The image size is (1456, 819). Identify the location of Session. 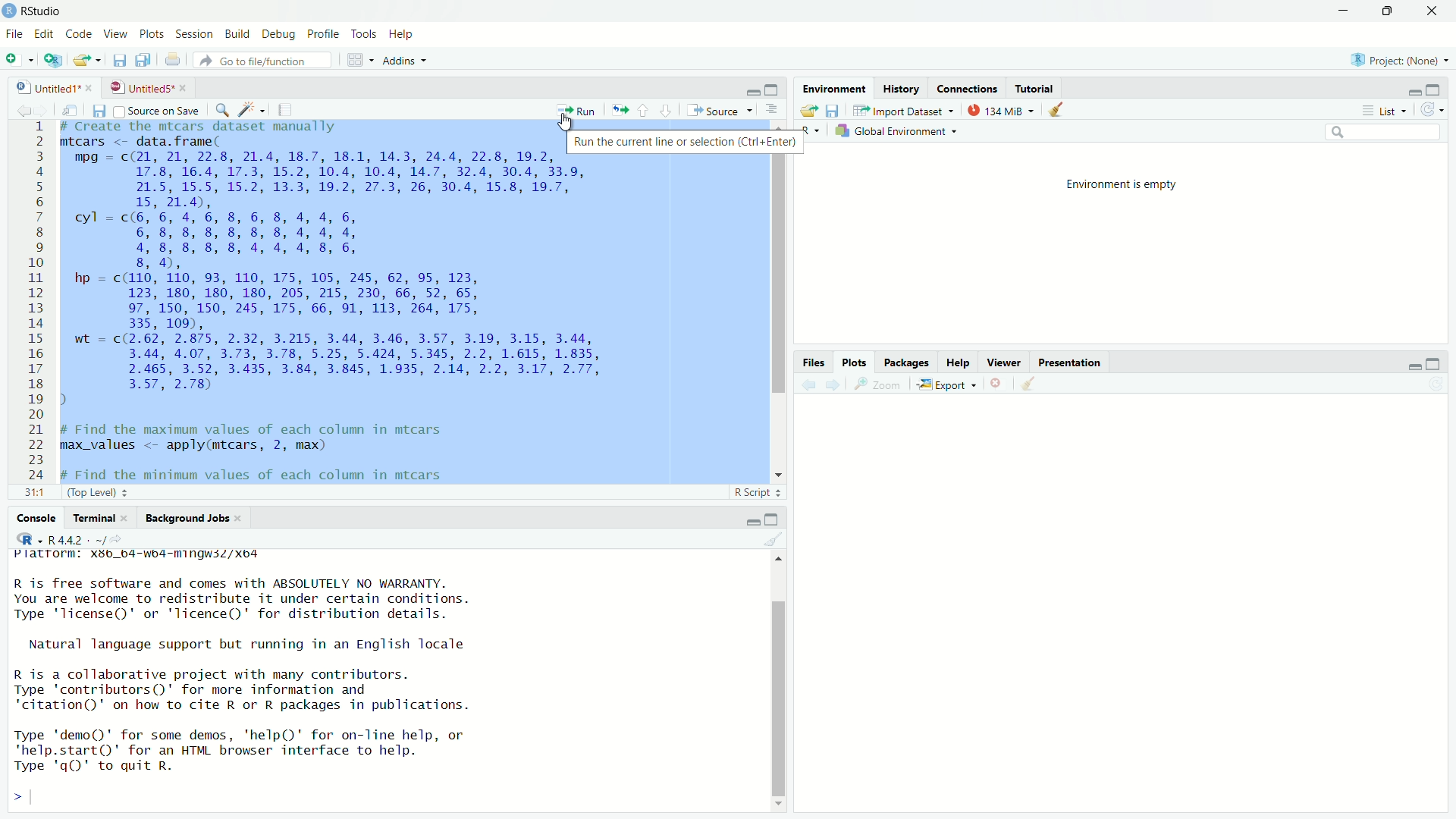
(195, 33).